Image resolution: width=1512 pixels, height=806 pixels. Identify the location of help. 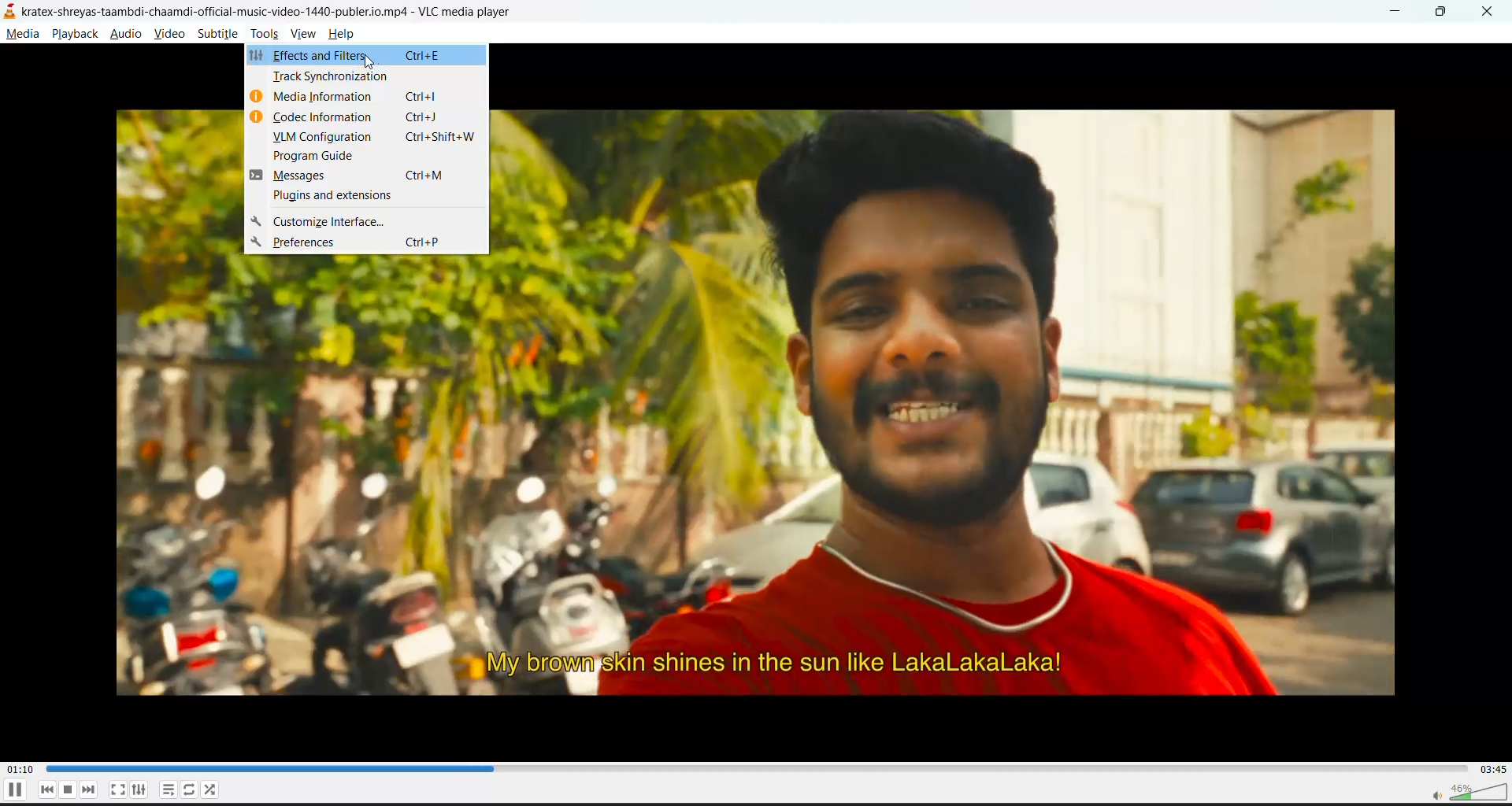
(345, 34).